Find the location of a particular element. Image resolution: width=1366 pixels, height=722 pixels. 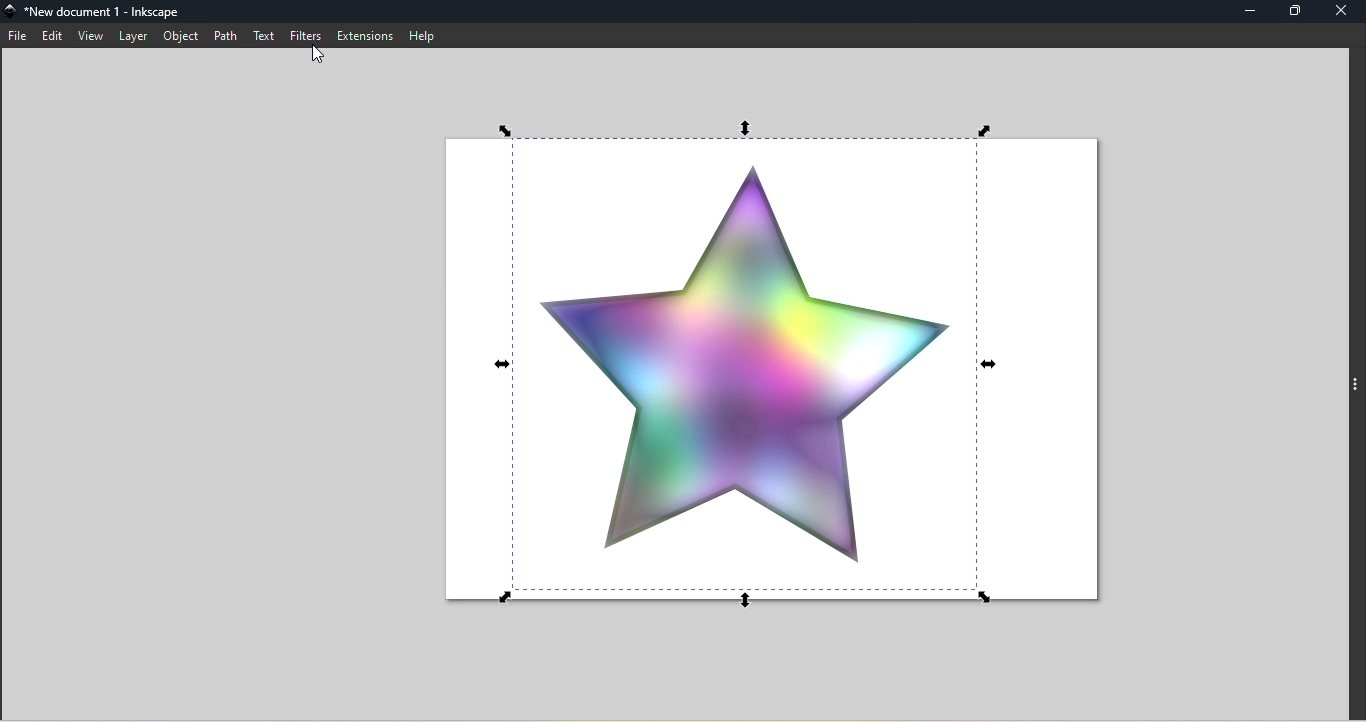

File name is located at coordinates (96, 12).